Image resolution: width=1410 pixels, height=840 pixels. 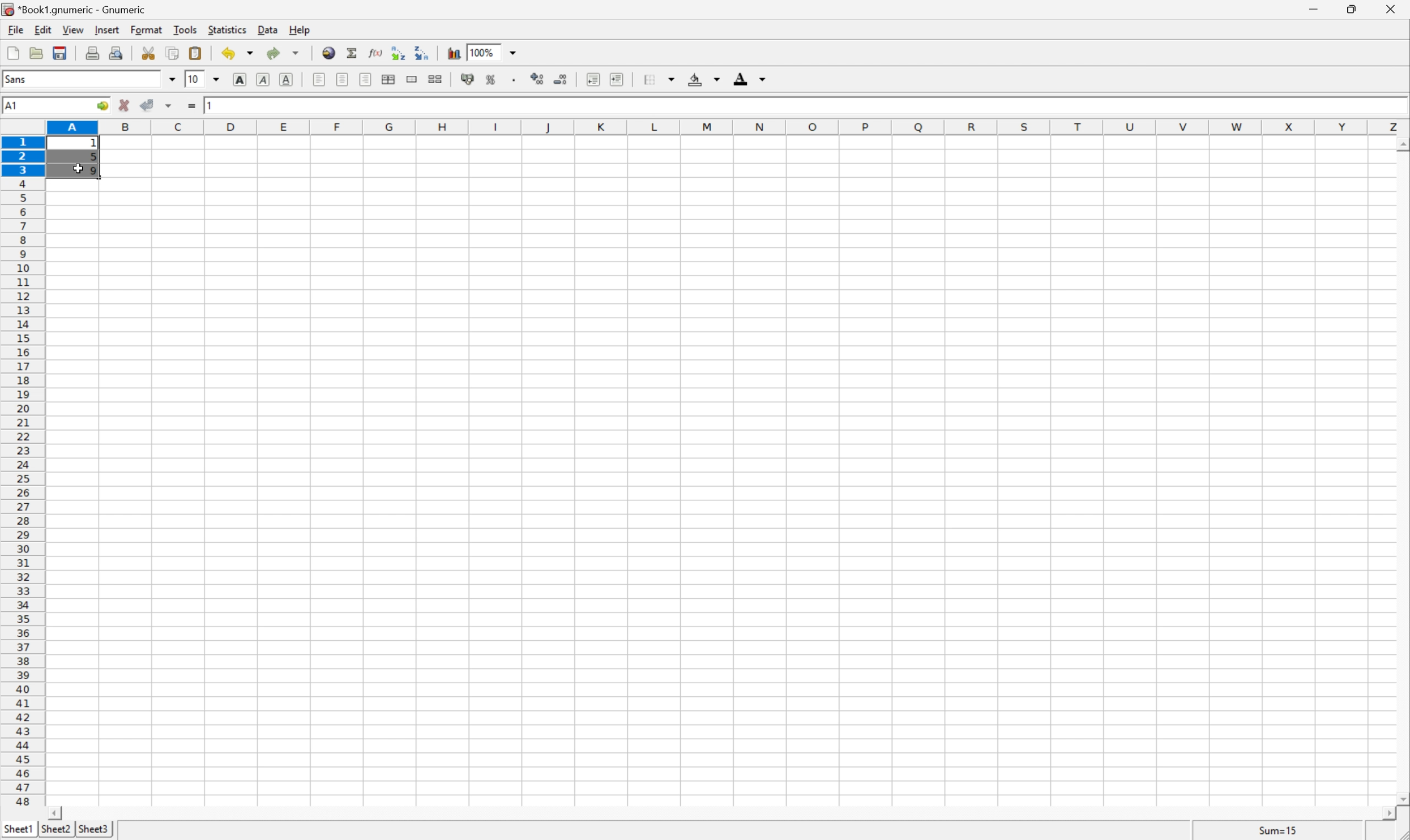 What do you see at coordinates (301, 29) in the screenshot?
I see `help` at bounding box center [301, 29].